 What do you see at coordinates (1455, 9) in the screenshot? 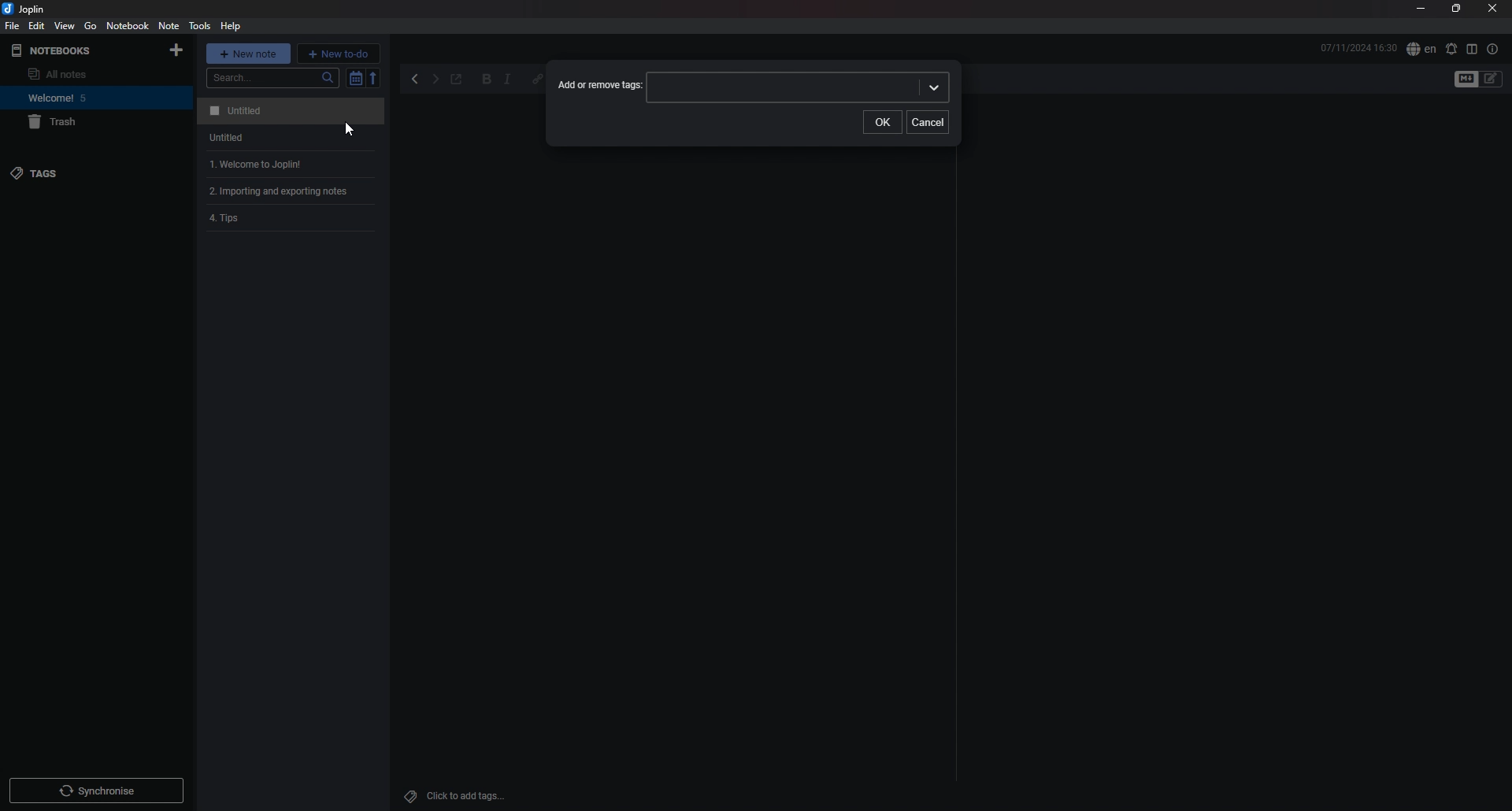
I see `resize` at bounding box center [1455, 9].